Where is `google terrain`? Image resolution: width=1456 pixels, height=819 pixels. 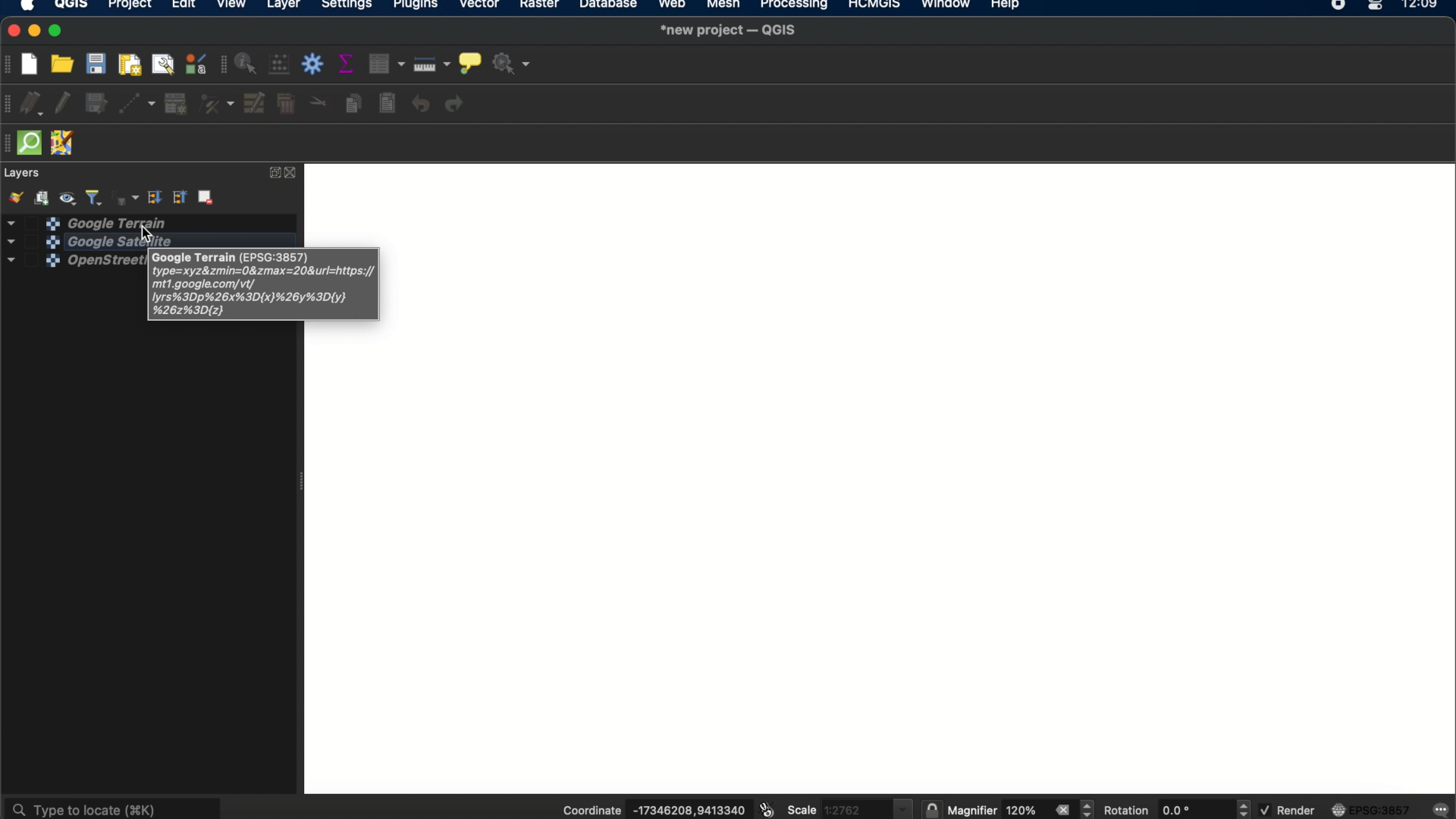
google terrain is located at coordinates (87, 221).